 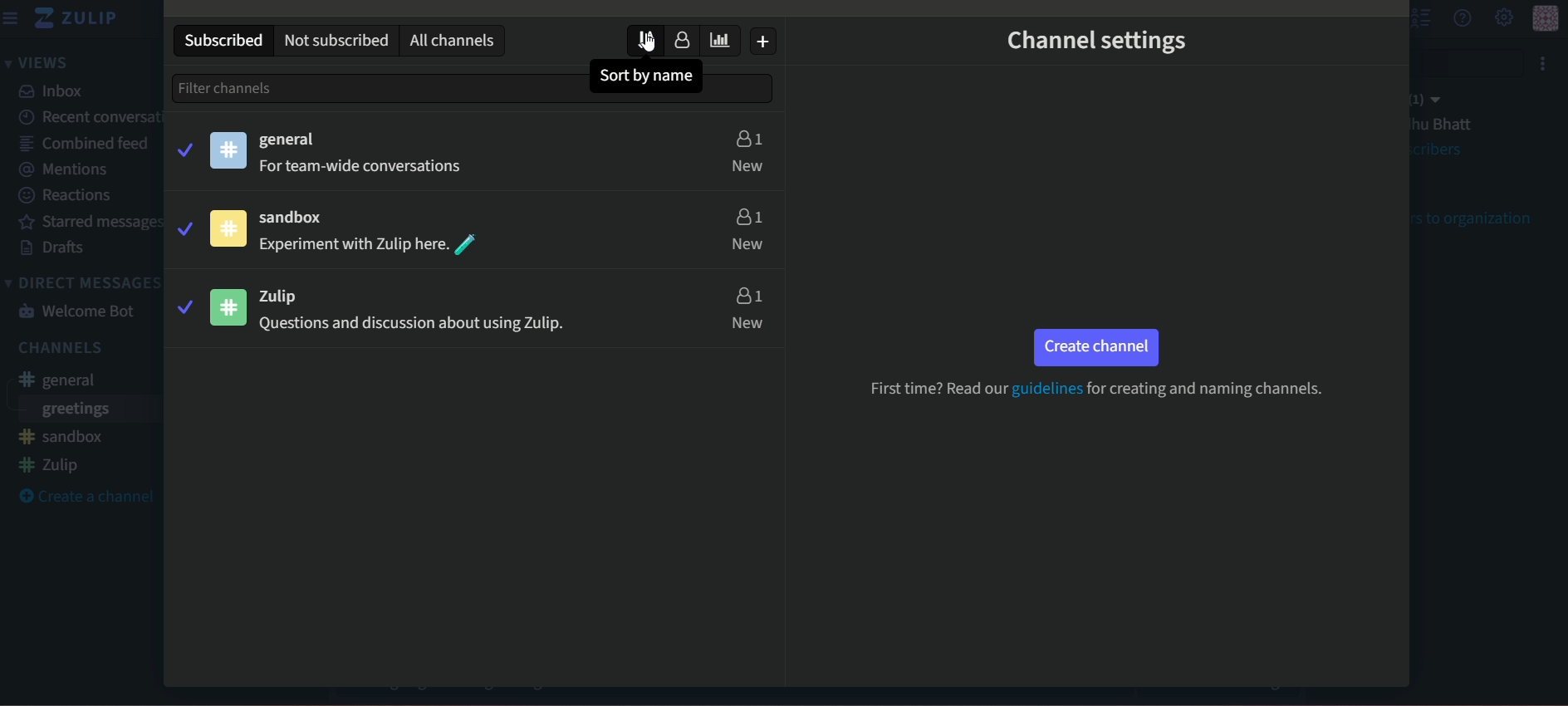 What do you see at coordinates (58, 349) in the screenshot?
I see `channels` at bounding box center [58, 349].